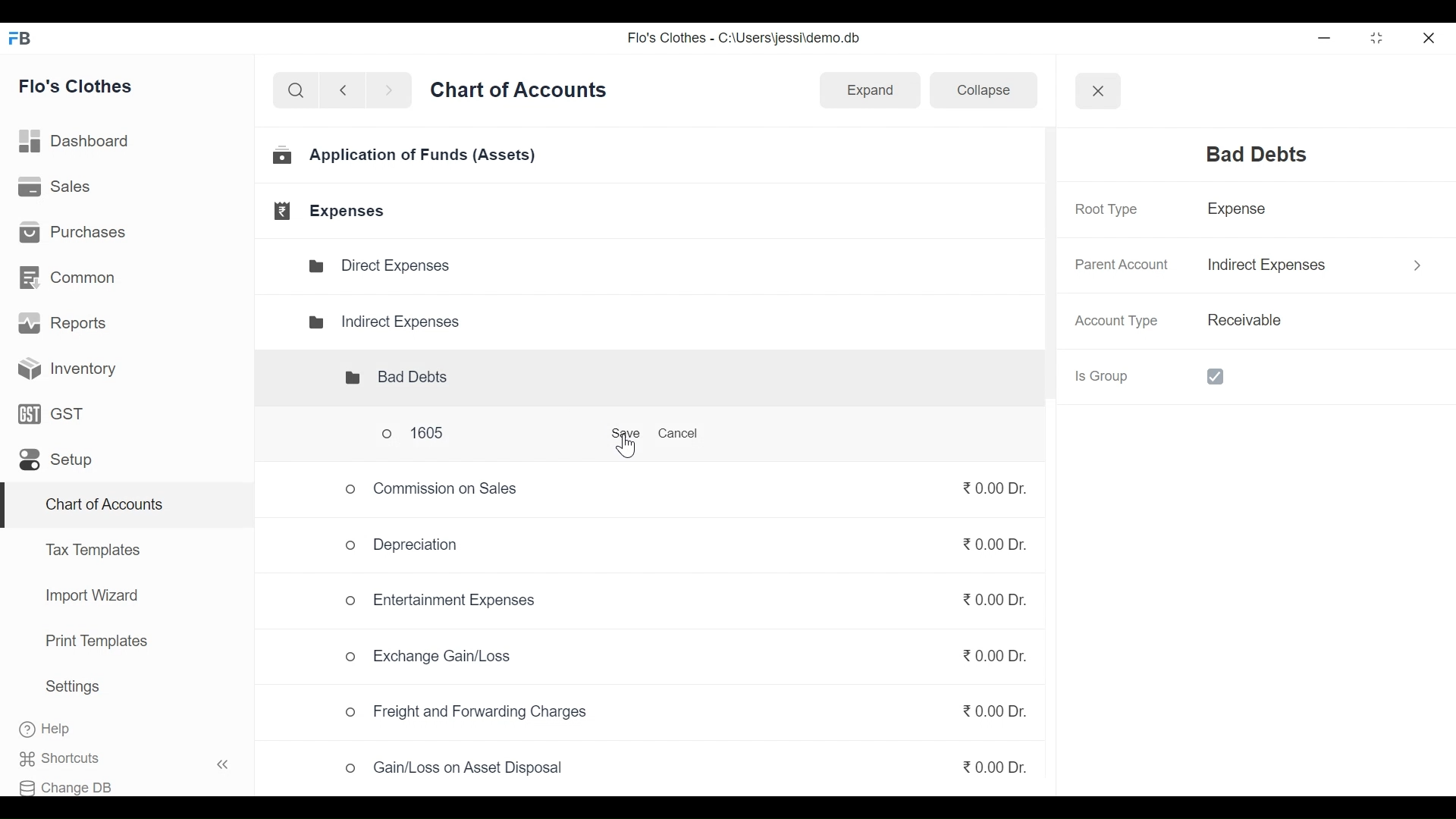  Describe the element at coordinates (1119, 265) in the screenshot. I see `Parent Account` at that location.